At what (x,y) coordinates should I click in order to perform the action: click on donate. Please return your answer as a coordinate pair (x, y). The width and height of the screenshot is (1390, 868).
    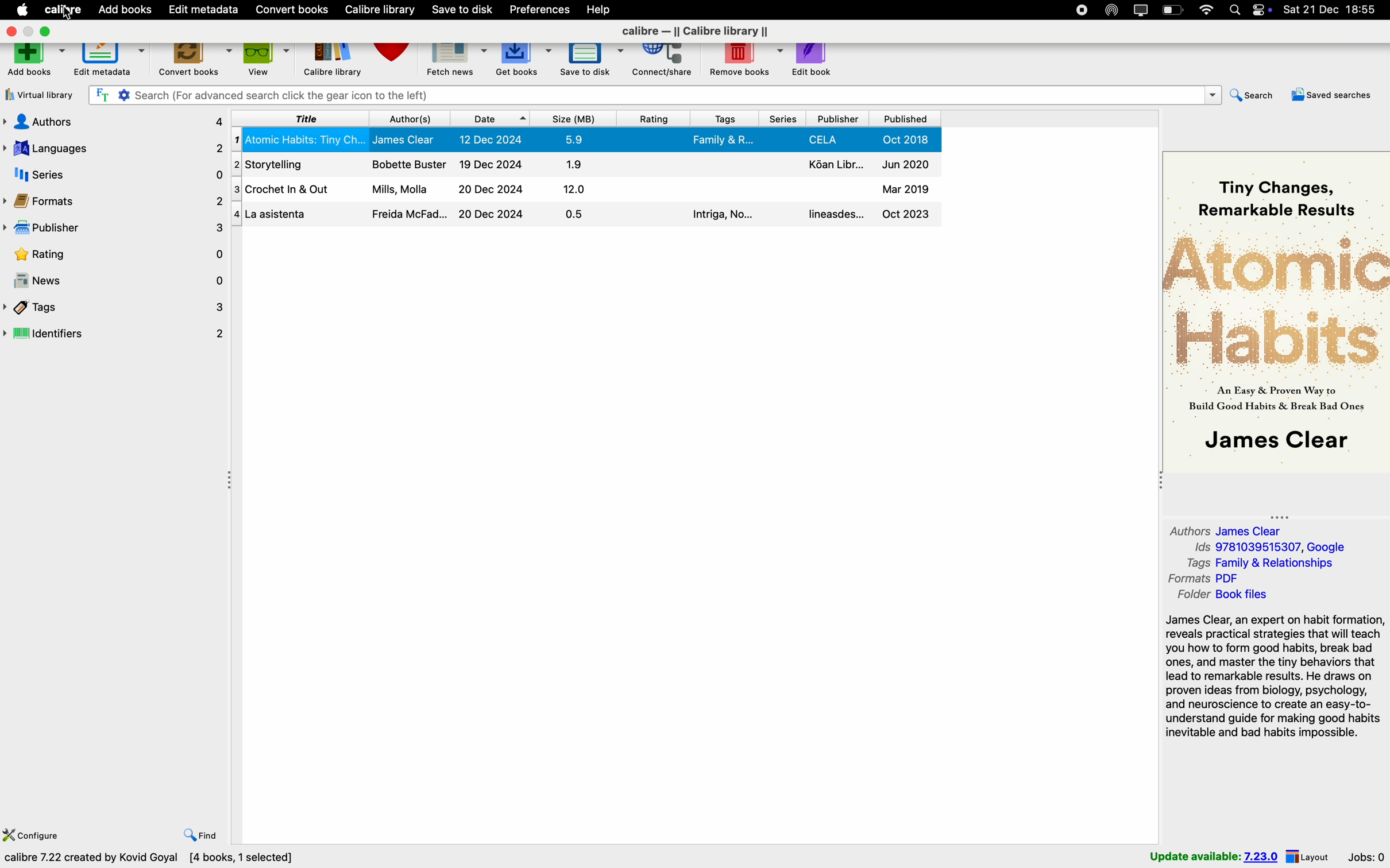
    Looking at the image, I should click on (395, 60).